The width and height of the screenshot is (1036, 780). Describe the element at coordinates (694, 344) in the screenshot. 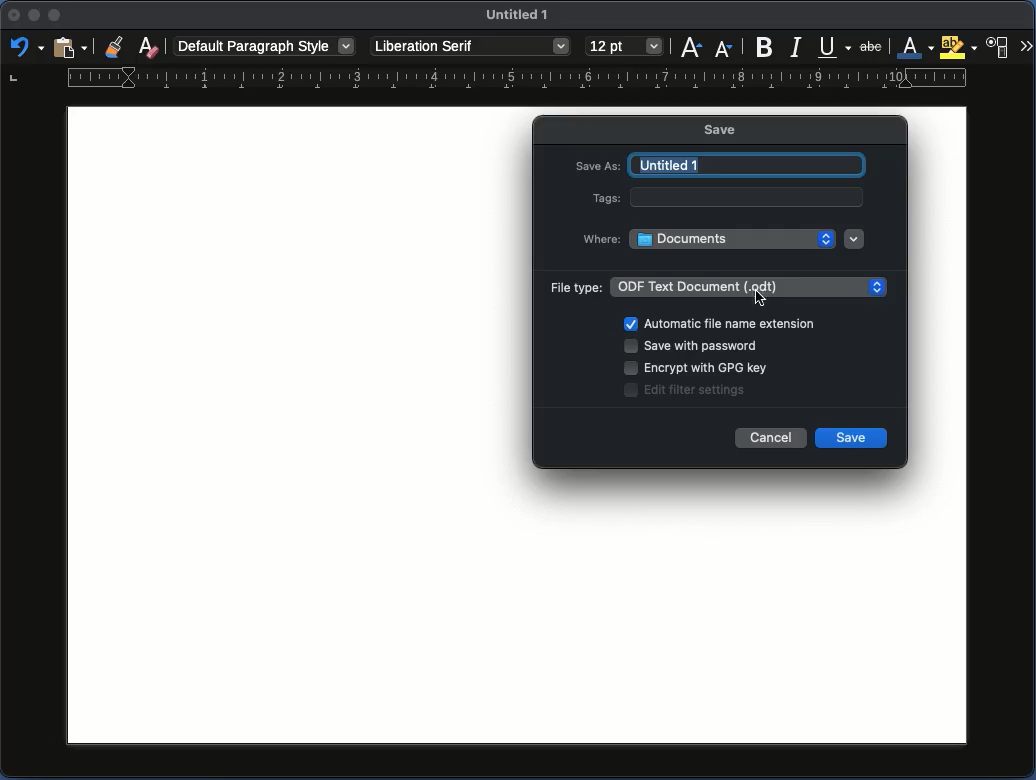

I see `Save with password` at that location.